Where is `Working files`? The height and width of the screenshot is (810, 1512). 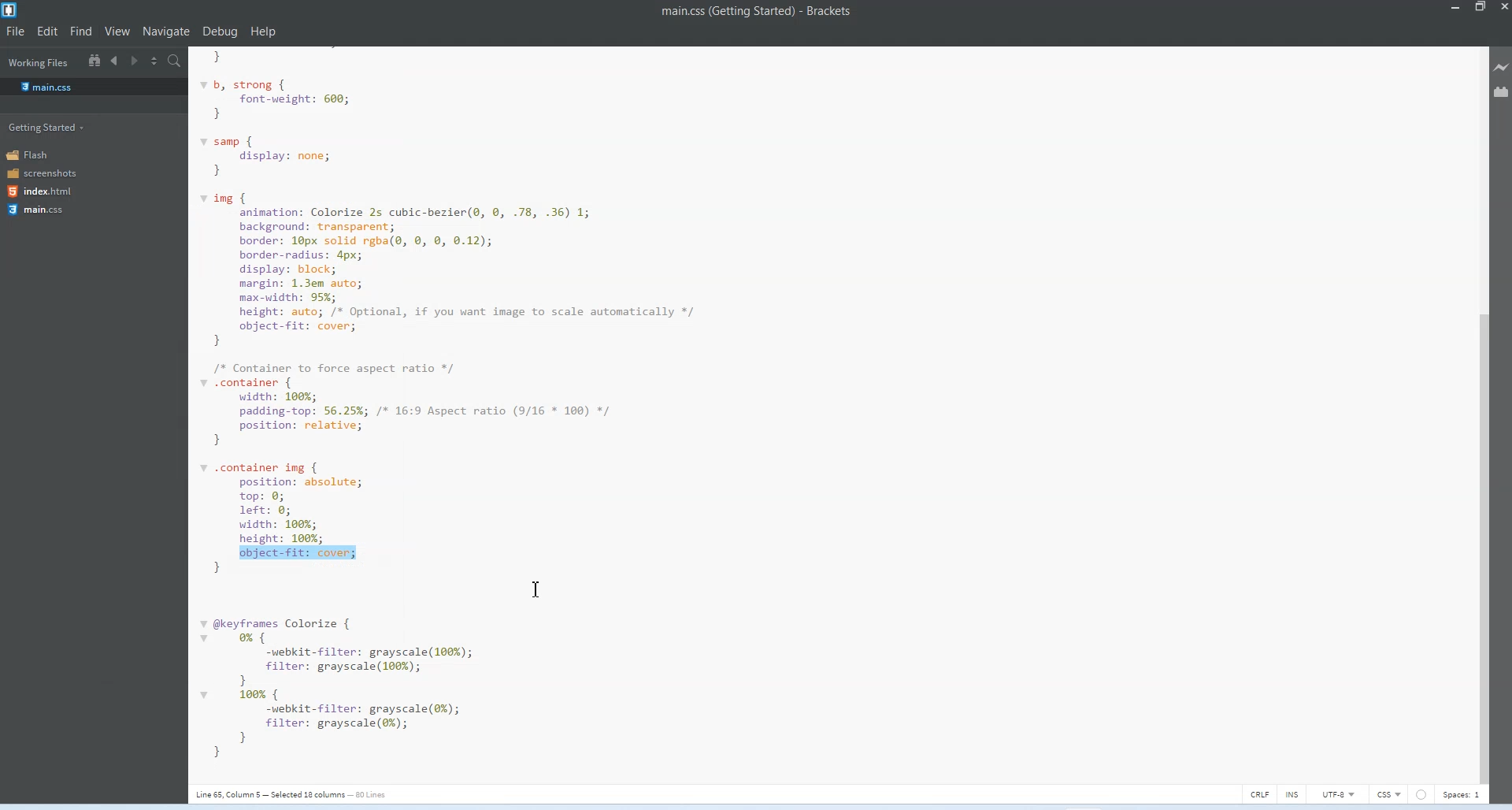
Working files is located at coordinates (39, 63).